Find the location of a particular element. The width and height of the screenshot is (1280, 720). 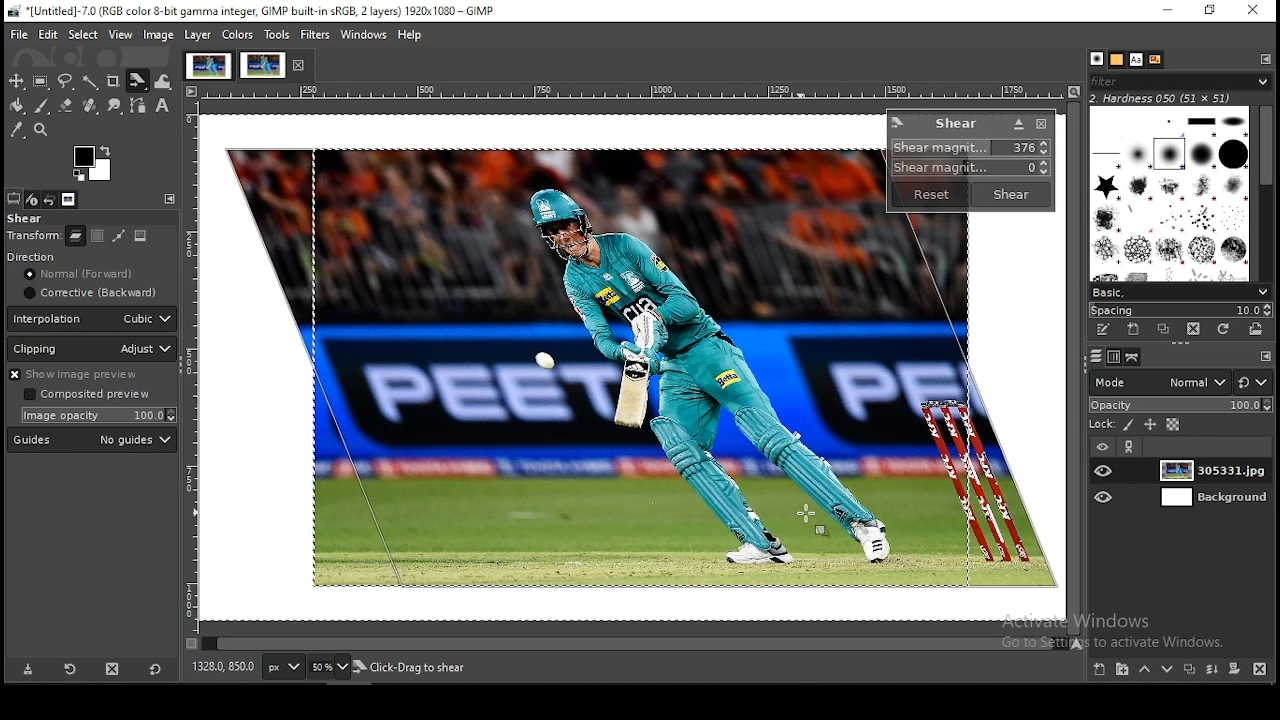

create a new brush is located at coordinates (1132, 329).